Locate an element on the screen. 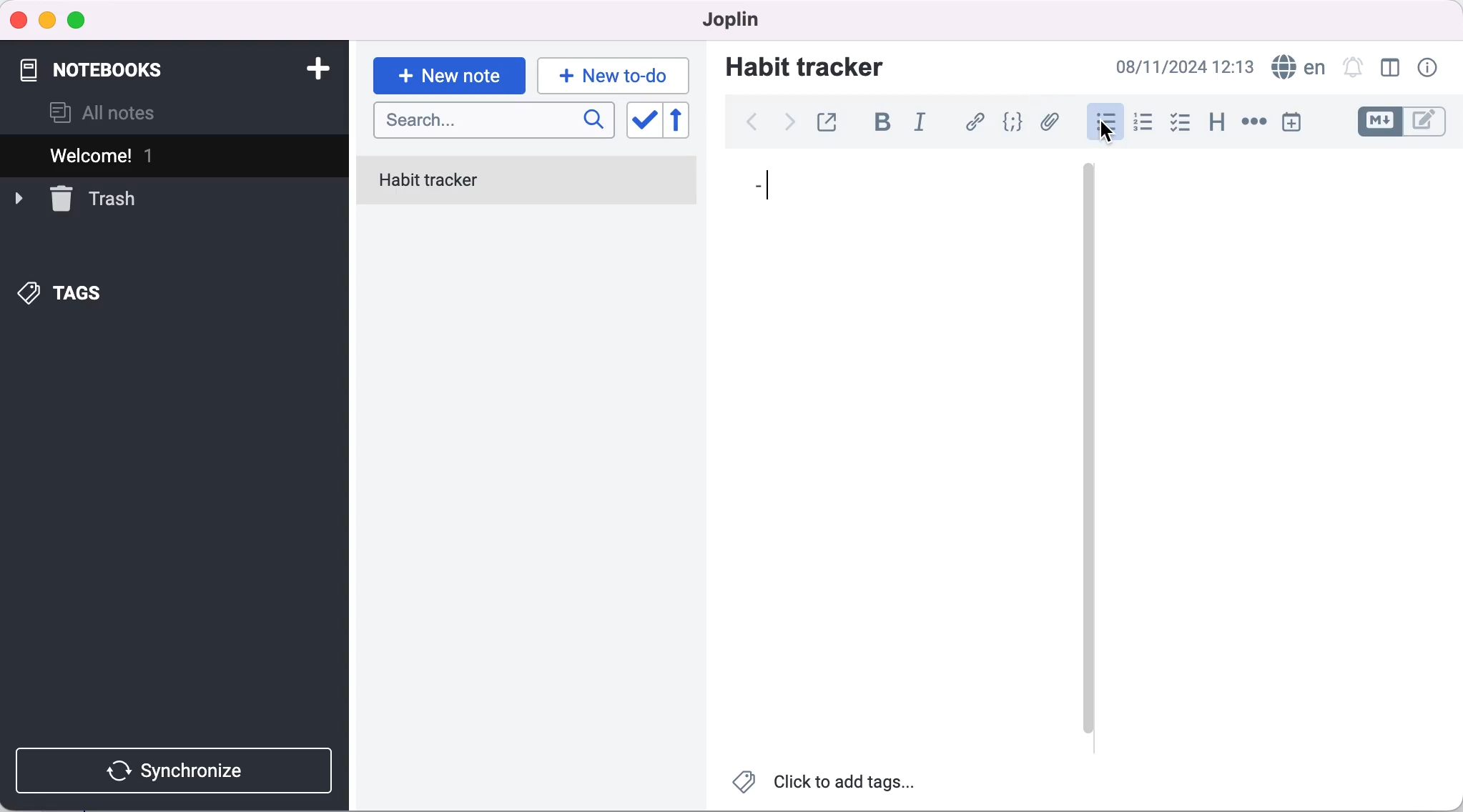  blank canvas is located at coordinates (897, 454).